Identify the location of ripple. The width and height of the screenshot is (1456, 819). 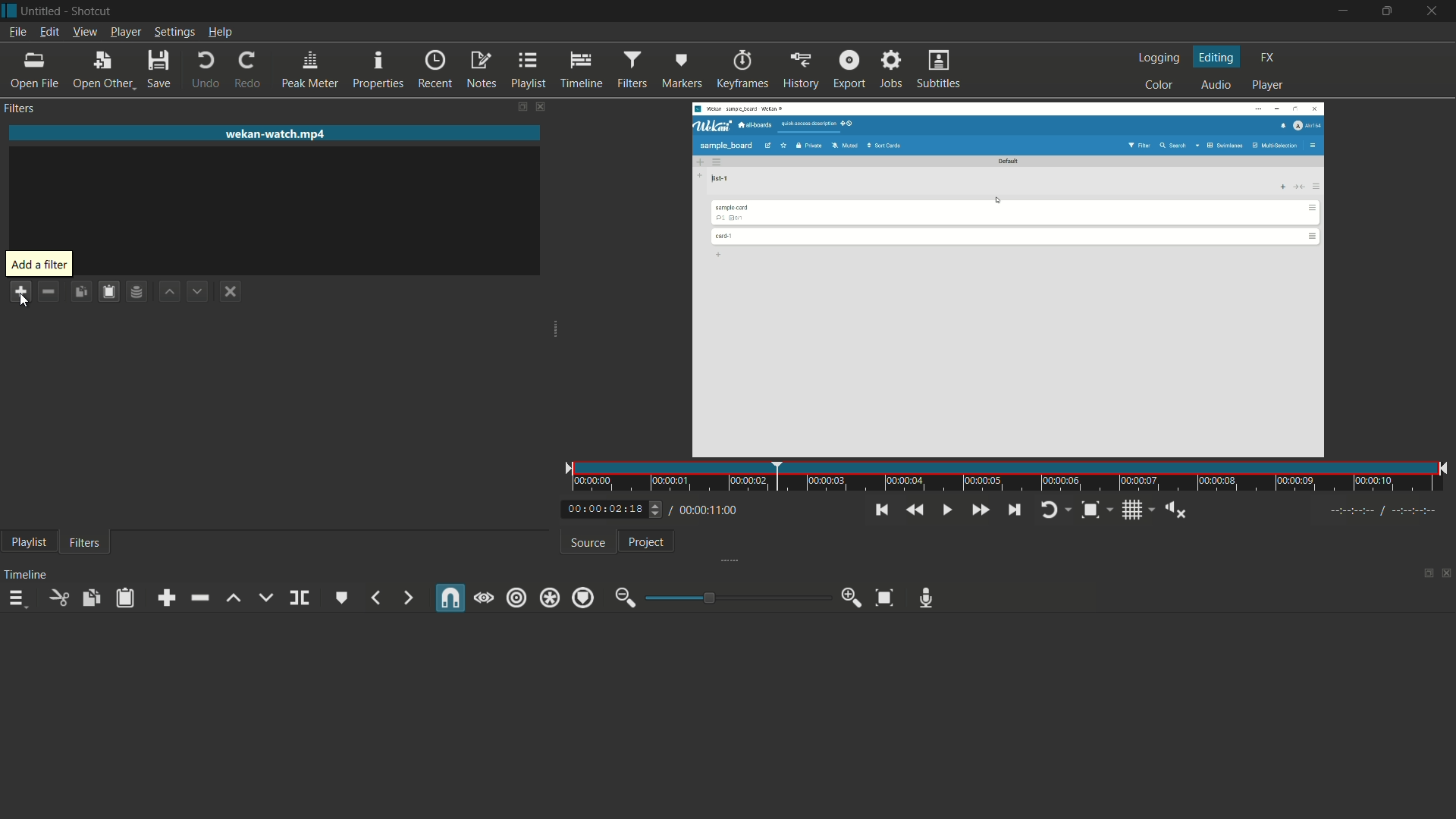
(517, 598).